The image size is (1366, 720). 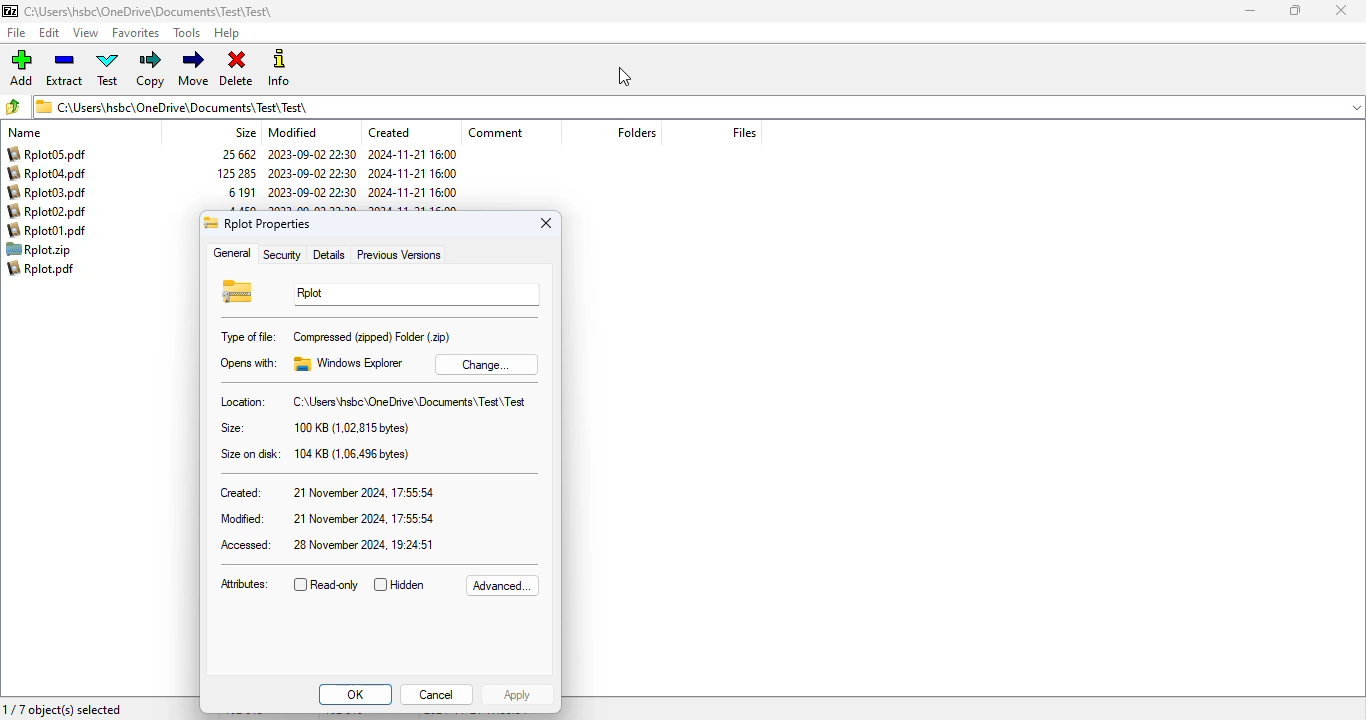 What do you see at coordinates (351, 427) in the screenshot?
I see `100 KB (1.02.815 bytes)` at bounding box center [351, 427].